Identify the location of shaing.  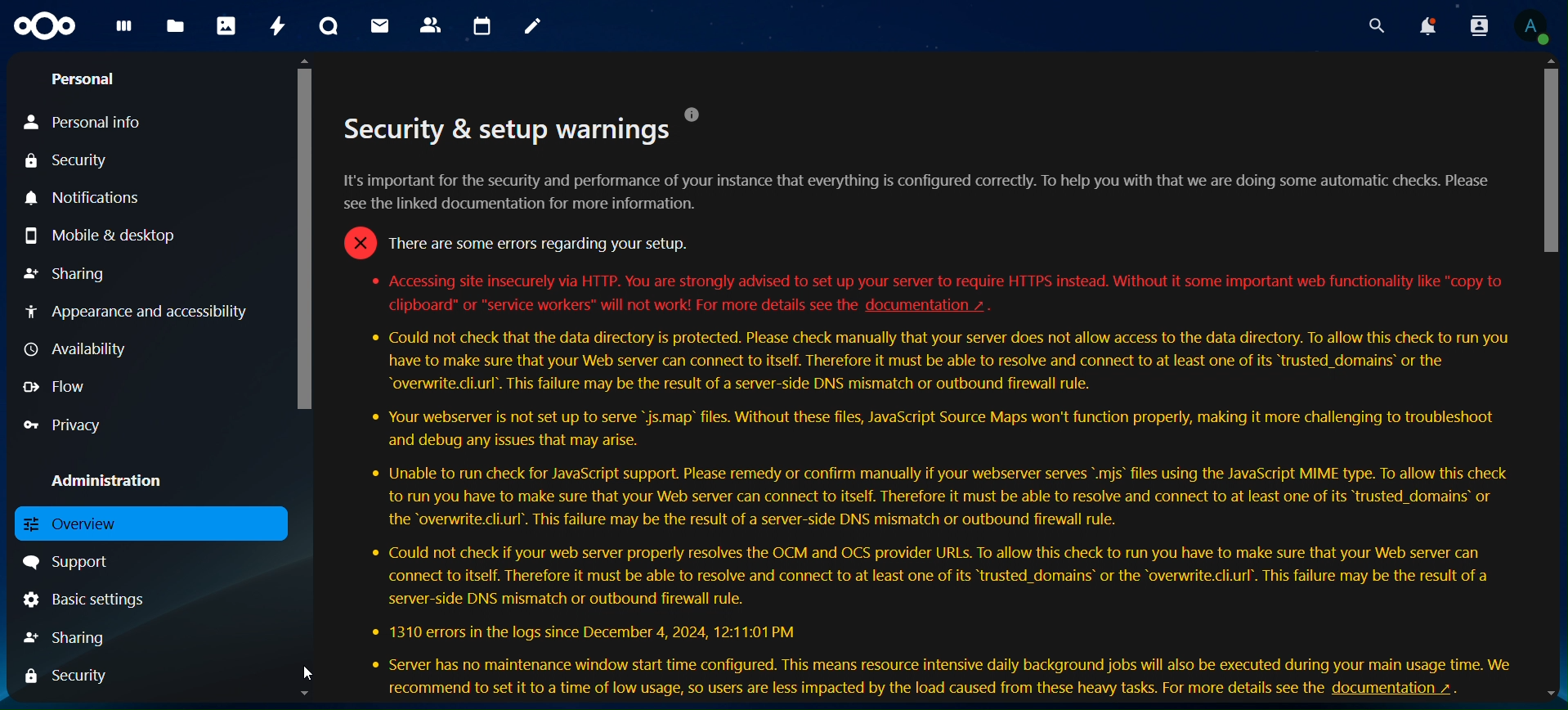
(67, 634).